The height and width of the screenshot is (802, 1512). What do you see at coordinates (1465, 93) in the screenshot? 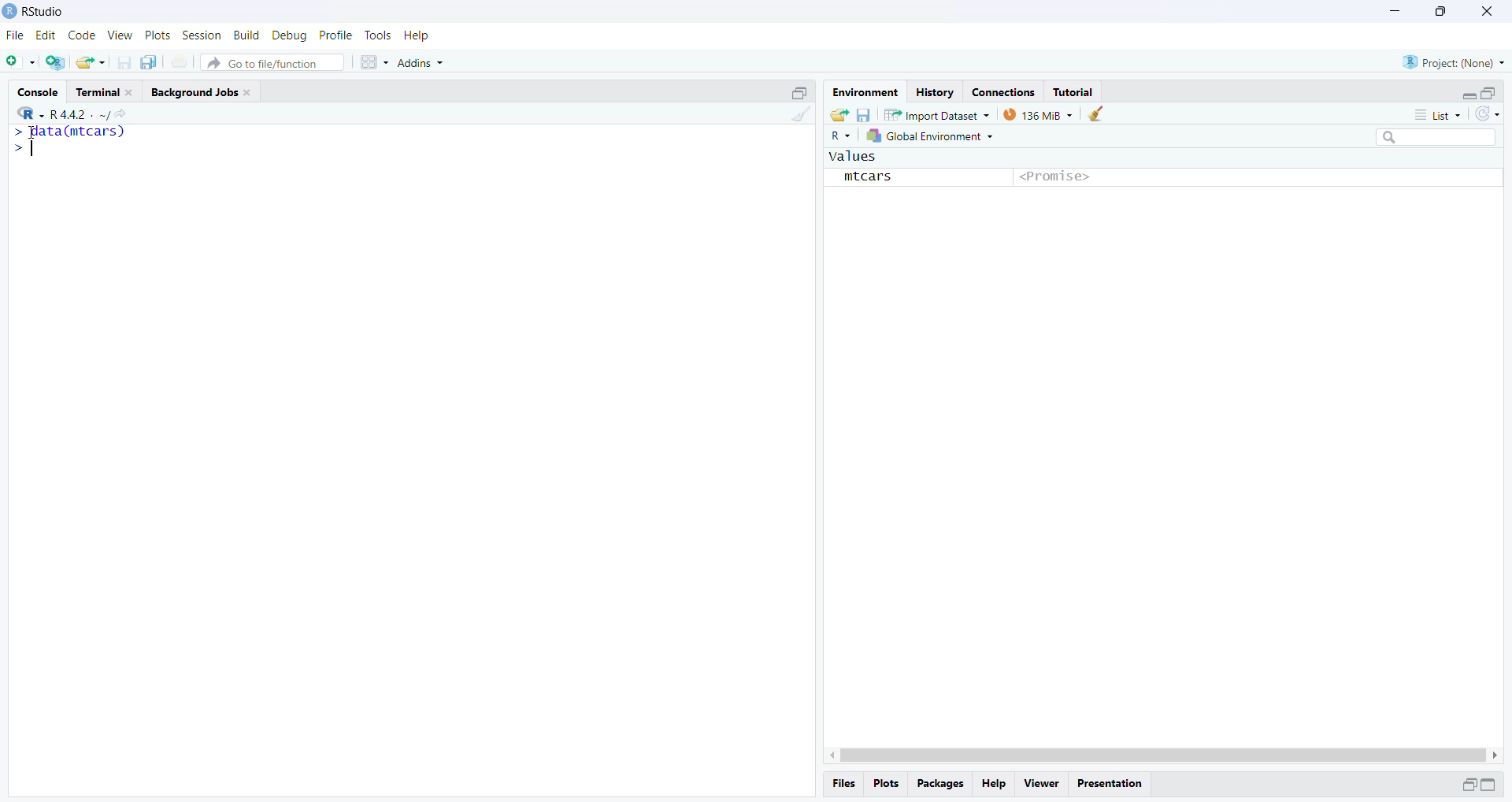
I see `Minimize` at bounding box center [1465, 93].